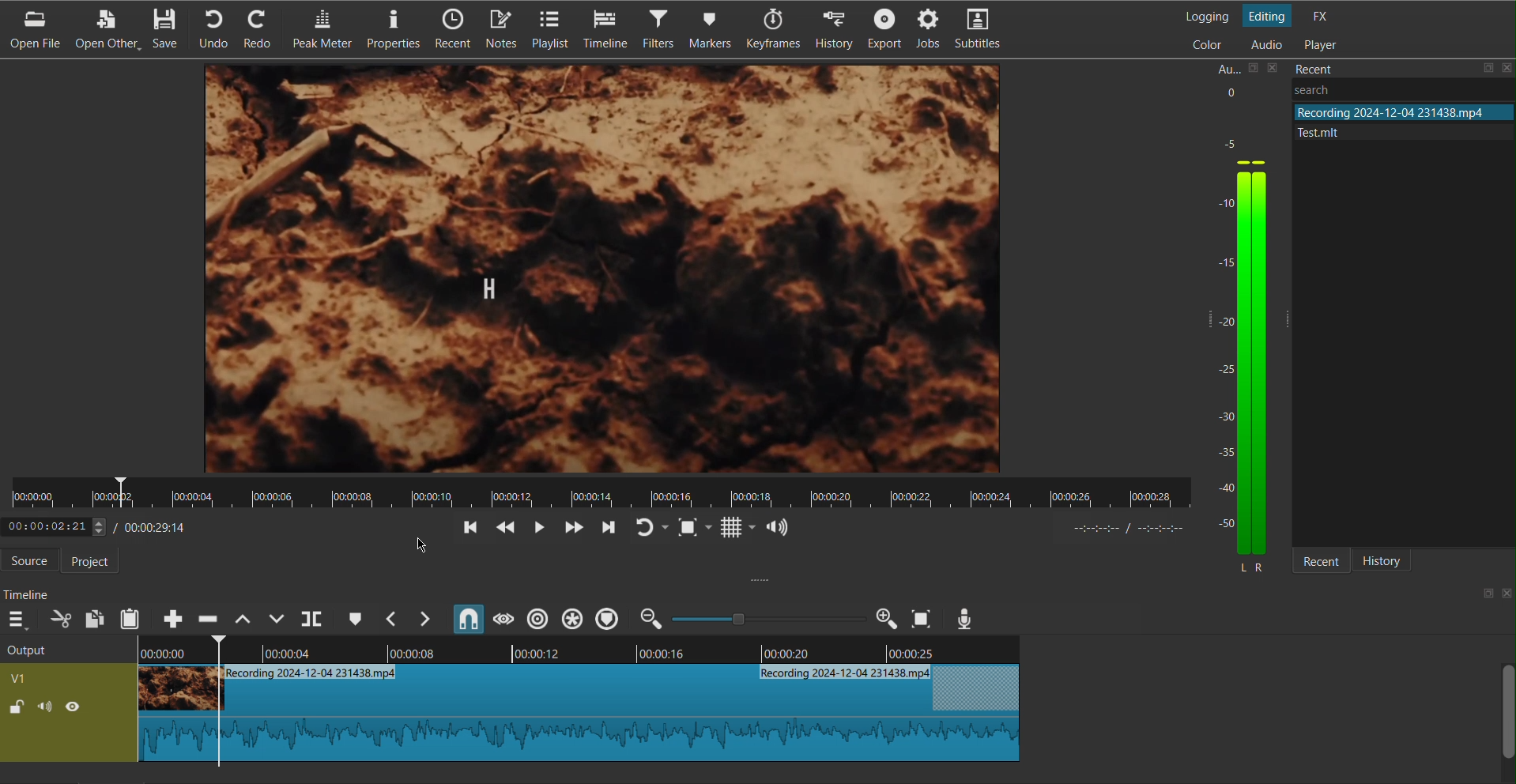  Describe the element at coordinates (428, 619) in the screenshot. I see `Next Marker` at that location.